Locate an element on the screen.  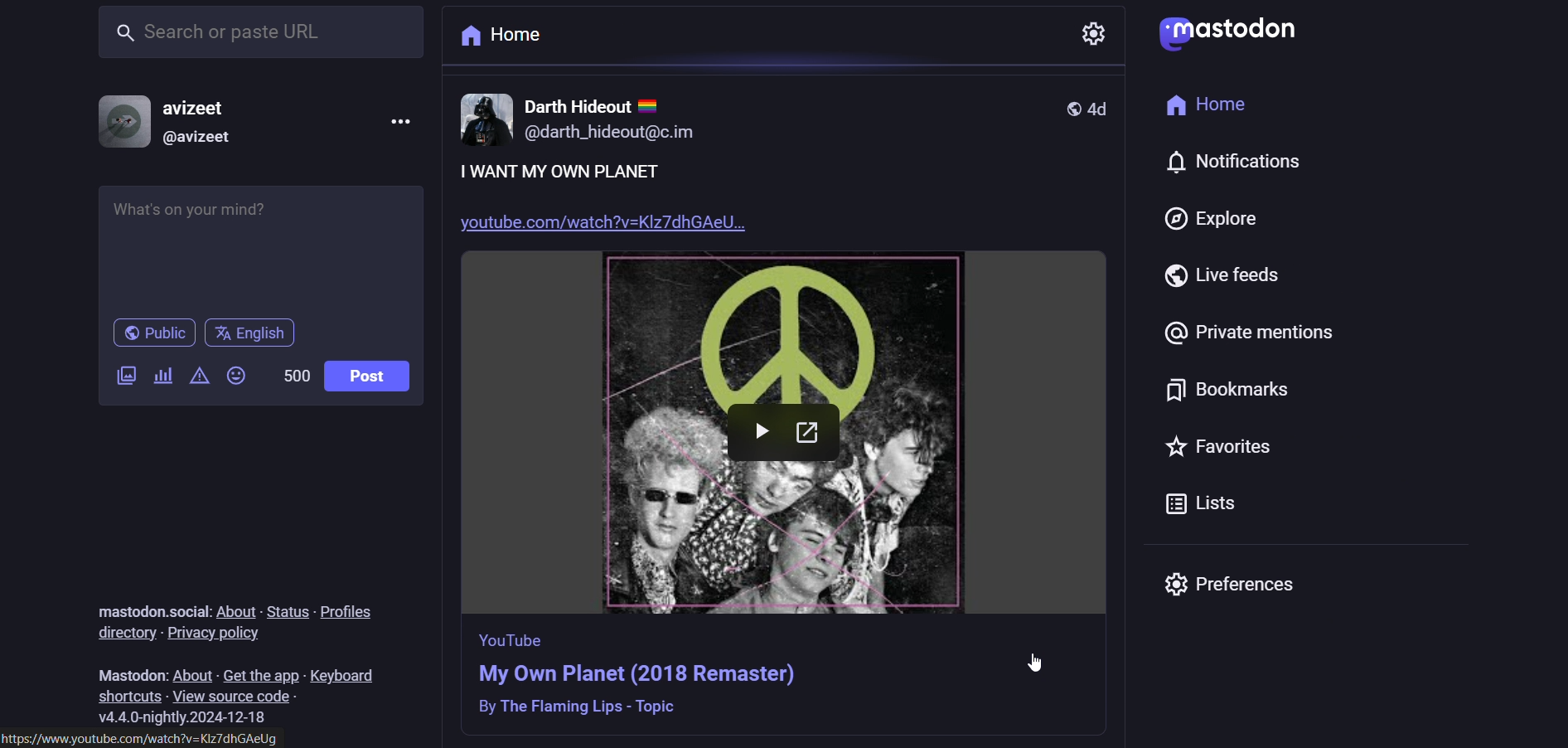
live feeds is located at coordinates (1221, 275).